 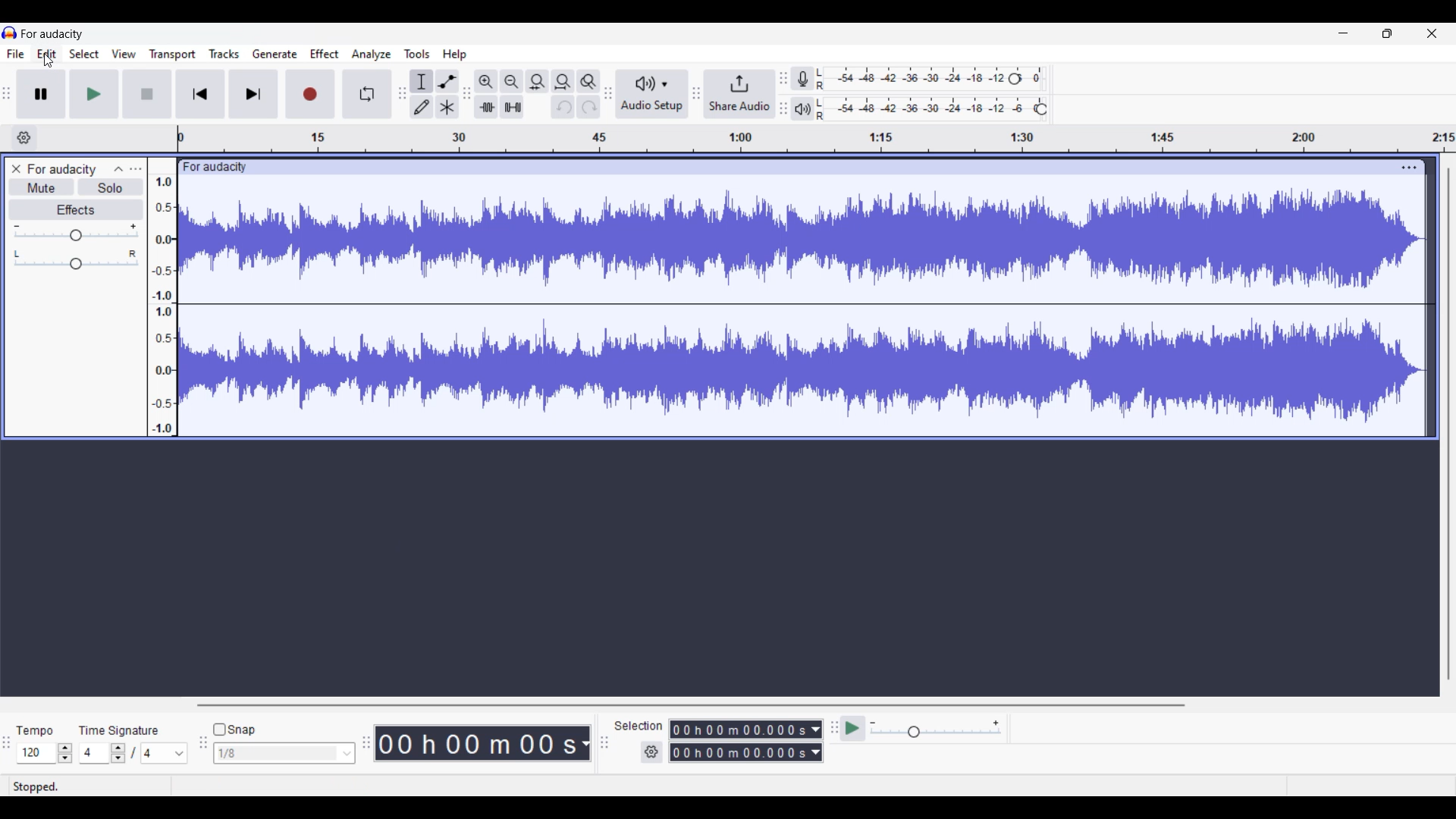 What do you see at coordinates (111, 187) in the screenshot?
I see `Solo` at bounding box center [111, 187].